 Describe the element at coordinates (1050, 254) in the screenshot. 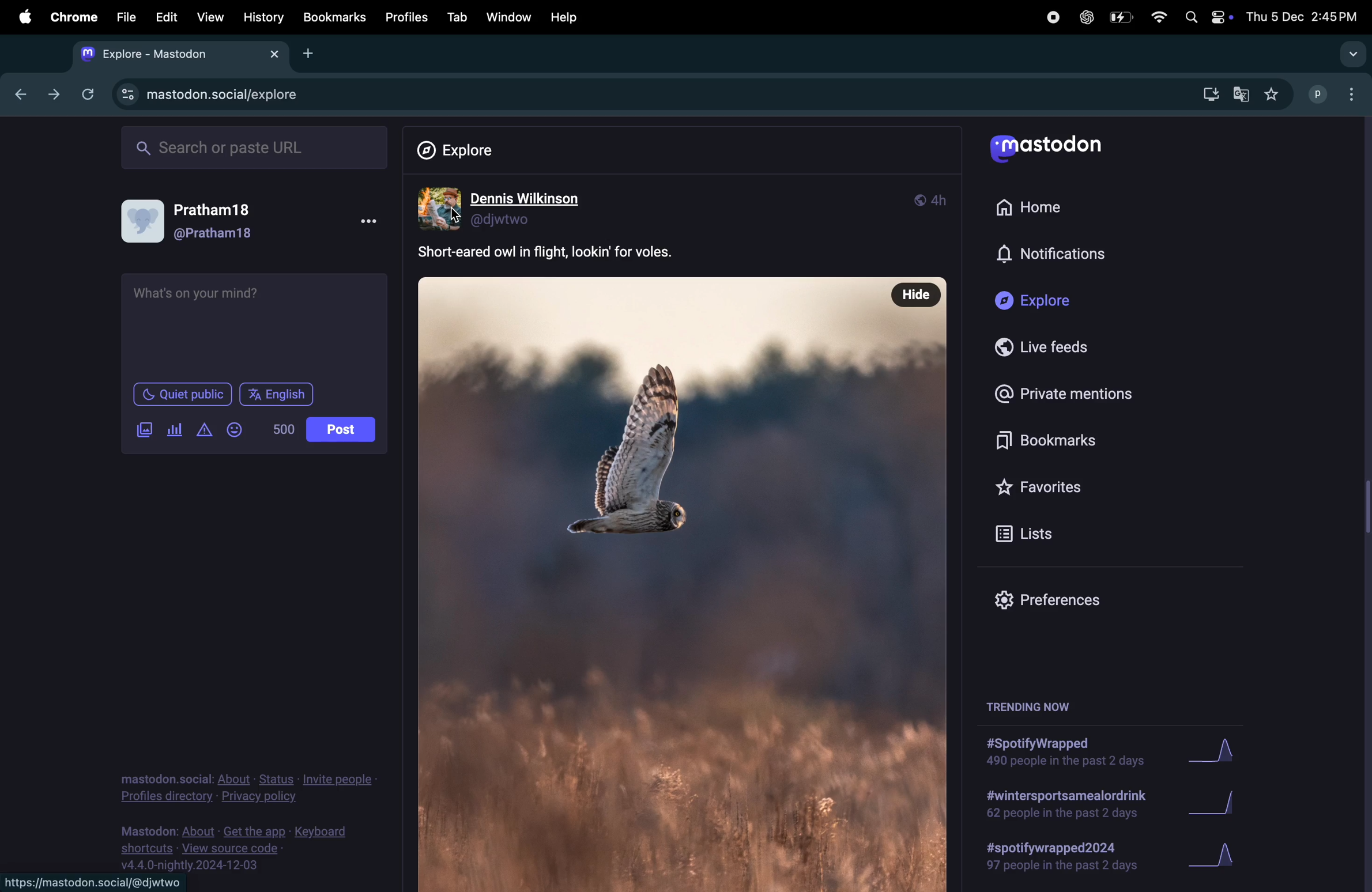

I see `notifications` at that location.